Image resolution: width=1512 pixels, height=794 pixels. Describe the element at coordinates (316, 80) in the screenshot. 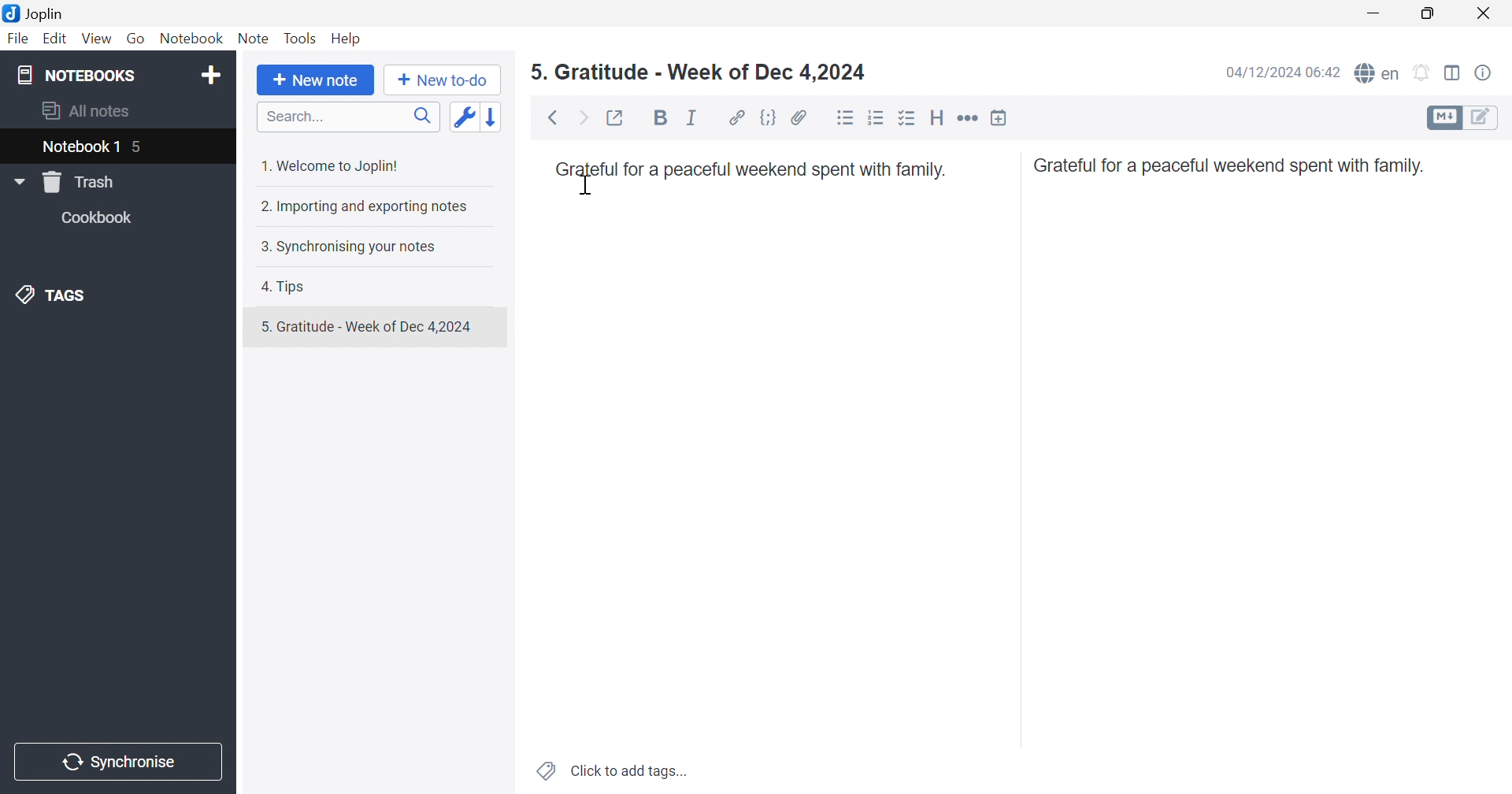

I see `New note` at that location.